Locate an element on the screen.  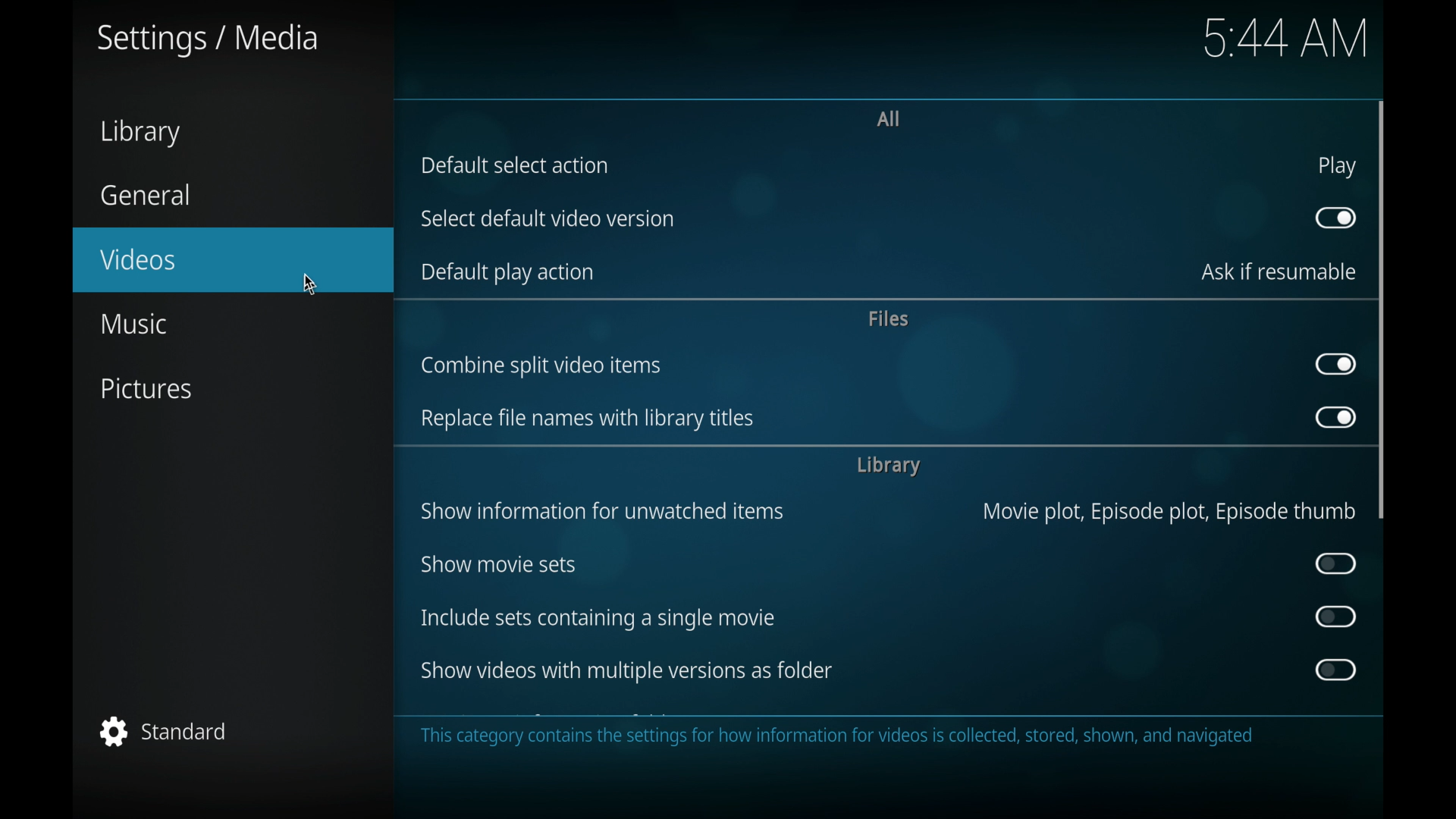
library is located at coordinates (140, 133).